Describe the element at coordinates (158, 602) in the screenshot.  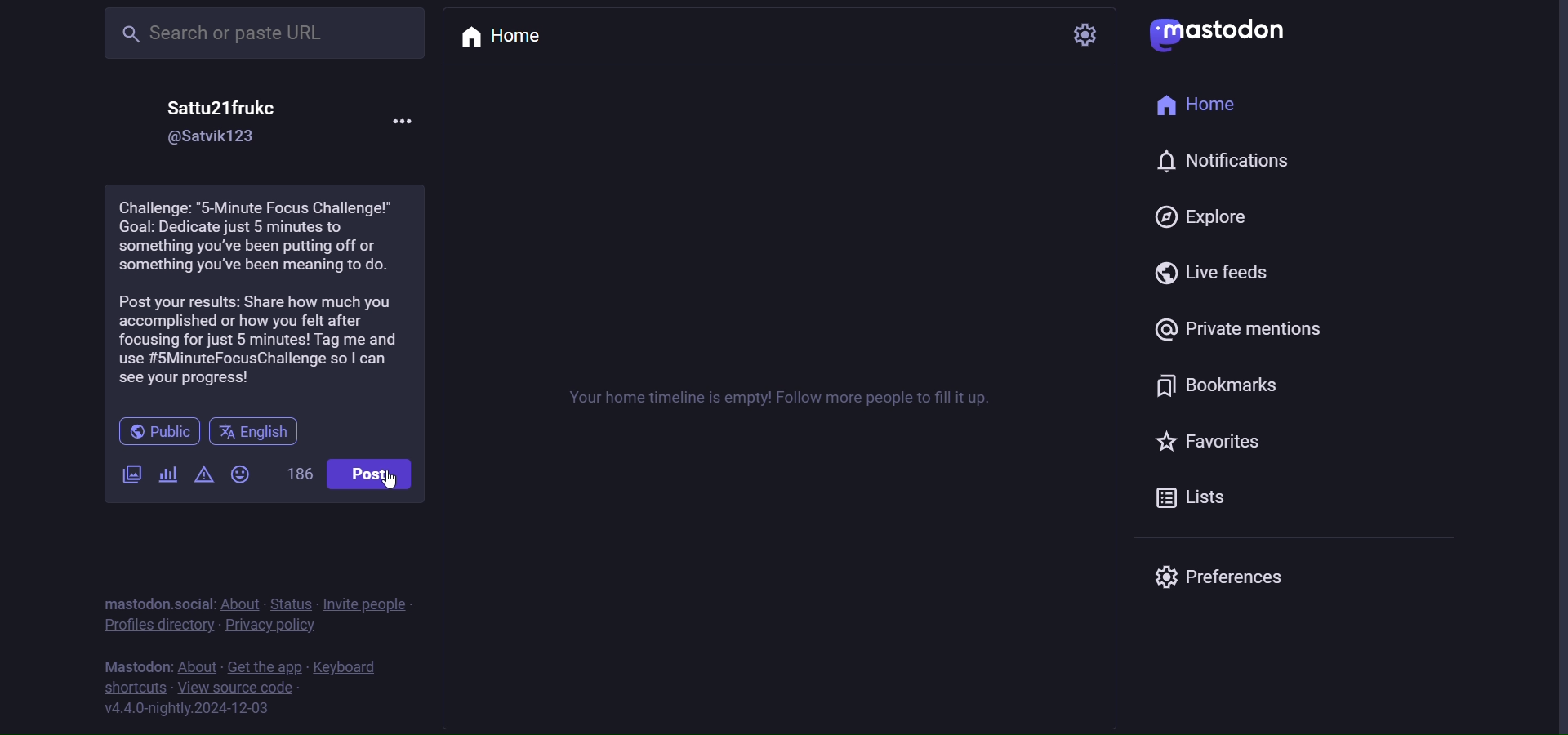
I see `mastodon social` at that location.